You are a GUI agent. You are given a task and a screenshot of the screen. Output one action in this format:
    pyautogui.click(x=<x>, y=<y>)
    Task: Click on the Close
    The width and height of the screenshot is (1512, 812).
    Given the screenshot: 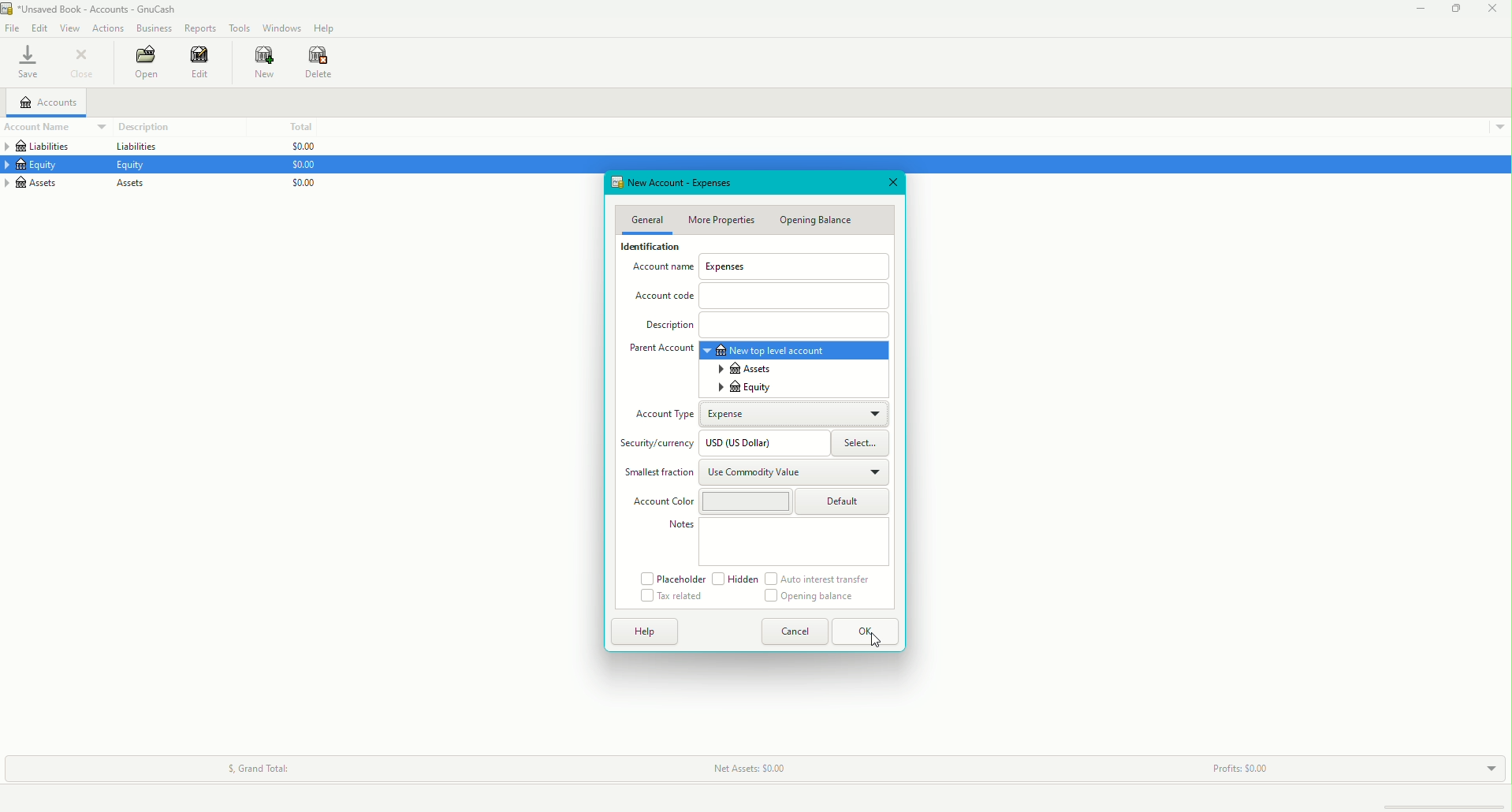 What is the action you would take?
    pyautogui.click(x=892, y=184)
    